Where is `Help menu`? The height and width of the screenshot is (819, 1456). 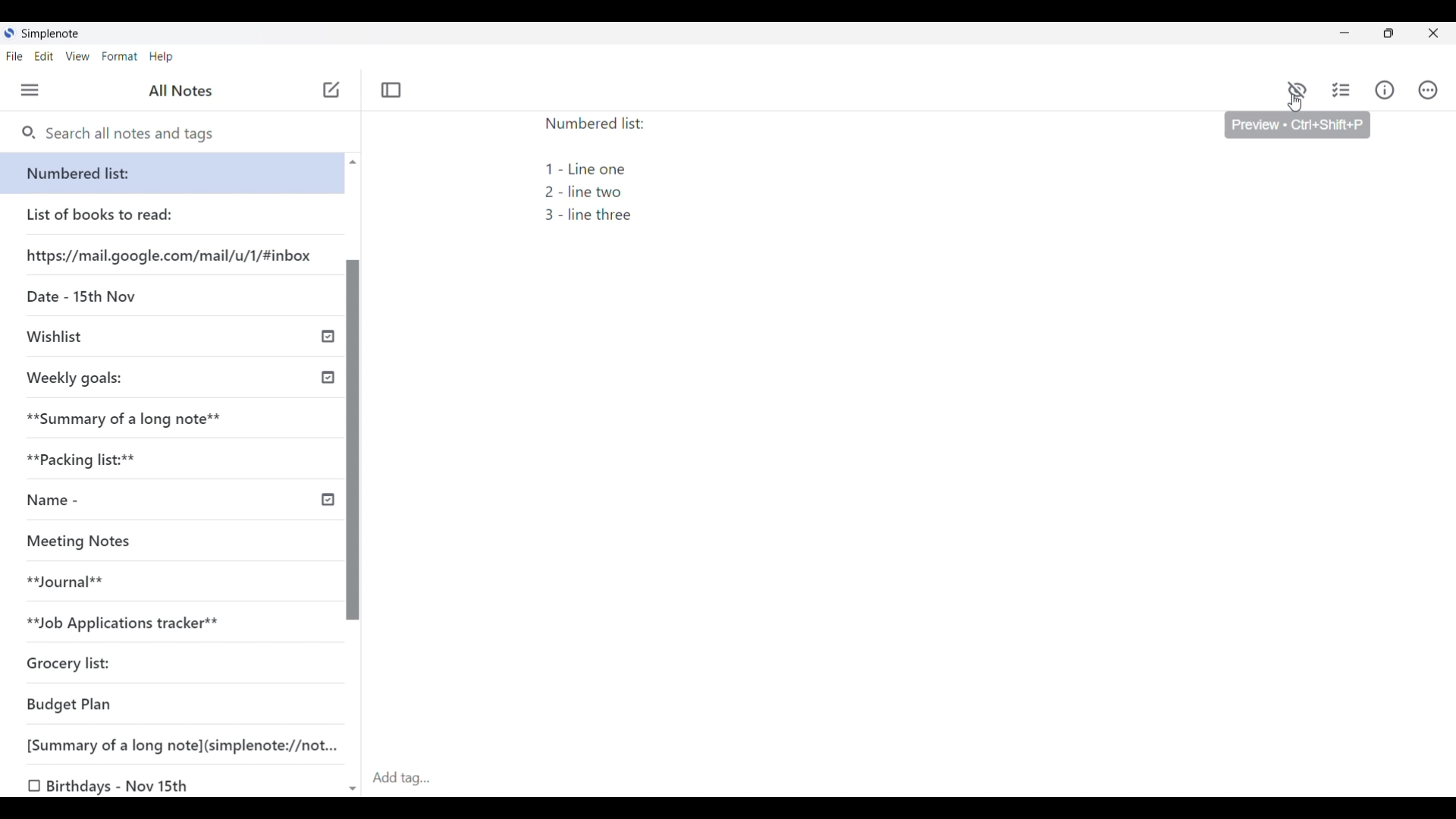
Help menu is located at coordinates (161, 58).